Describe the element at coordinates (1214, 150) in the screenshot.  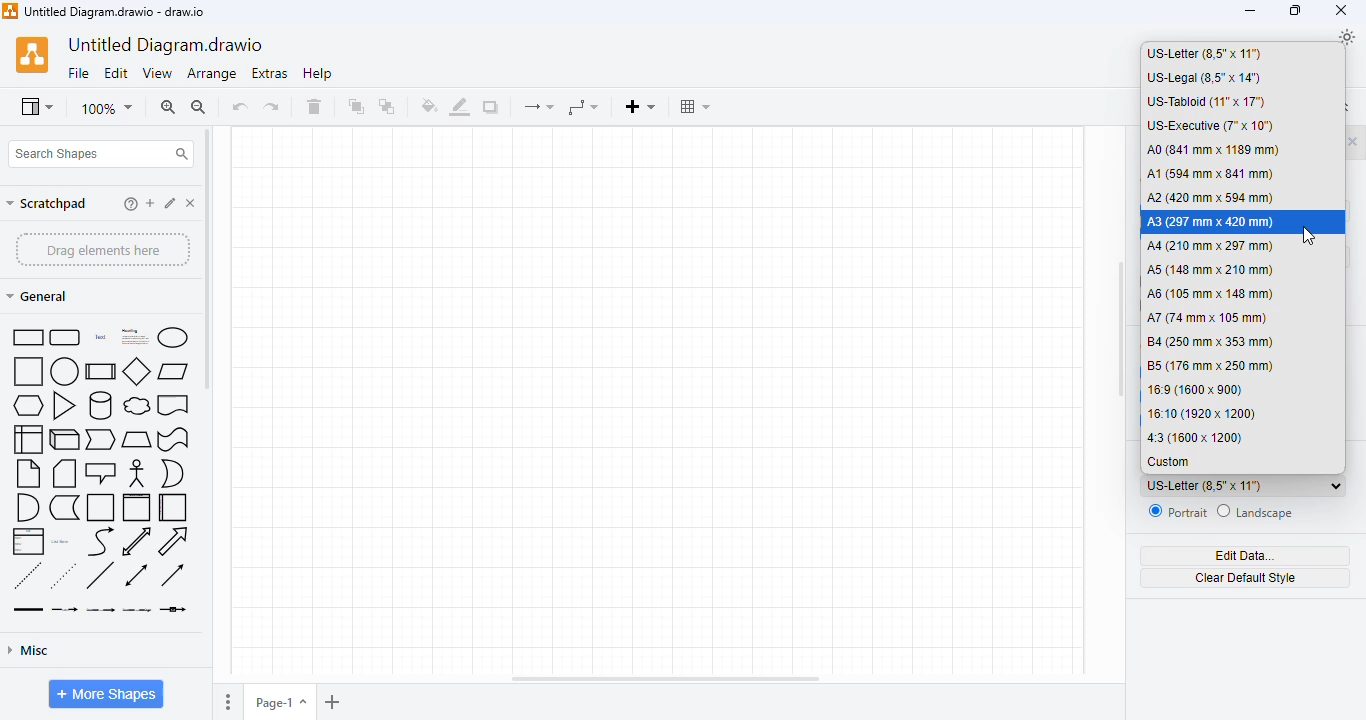
I see `A0` at that location.